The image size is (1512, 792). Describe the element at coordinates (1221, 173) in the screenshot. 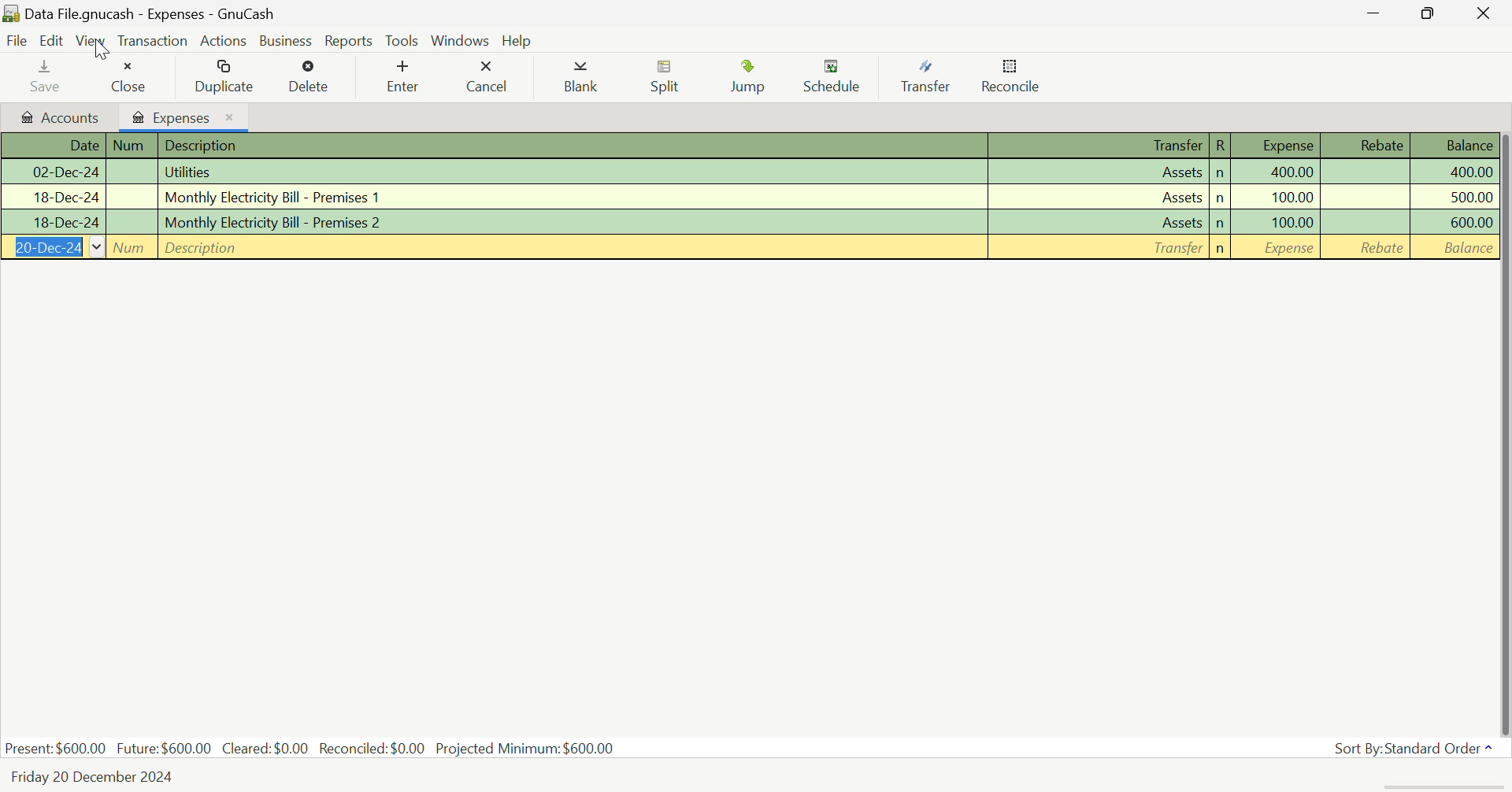

I see `n` at that location.